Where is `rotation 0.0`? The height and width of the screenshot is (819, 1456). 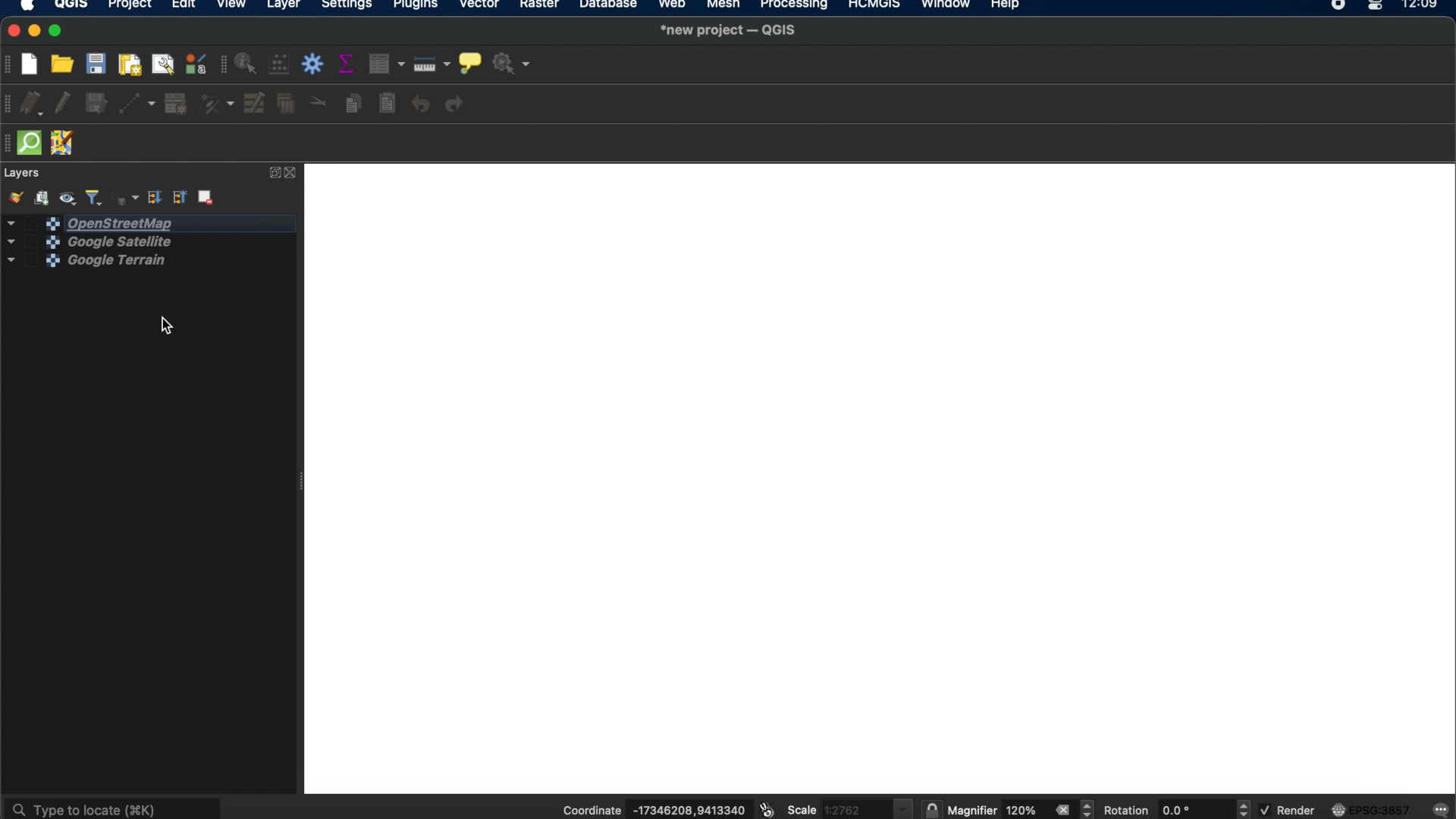
rotation 0.0 is located at coordinates (1156, 810).